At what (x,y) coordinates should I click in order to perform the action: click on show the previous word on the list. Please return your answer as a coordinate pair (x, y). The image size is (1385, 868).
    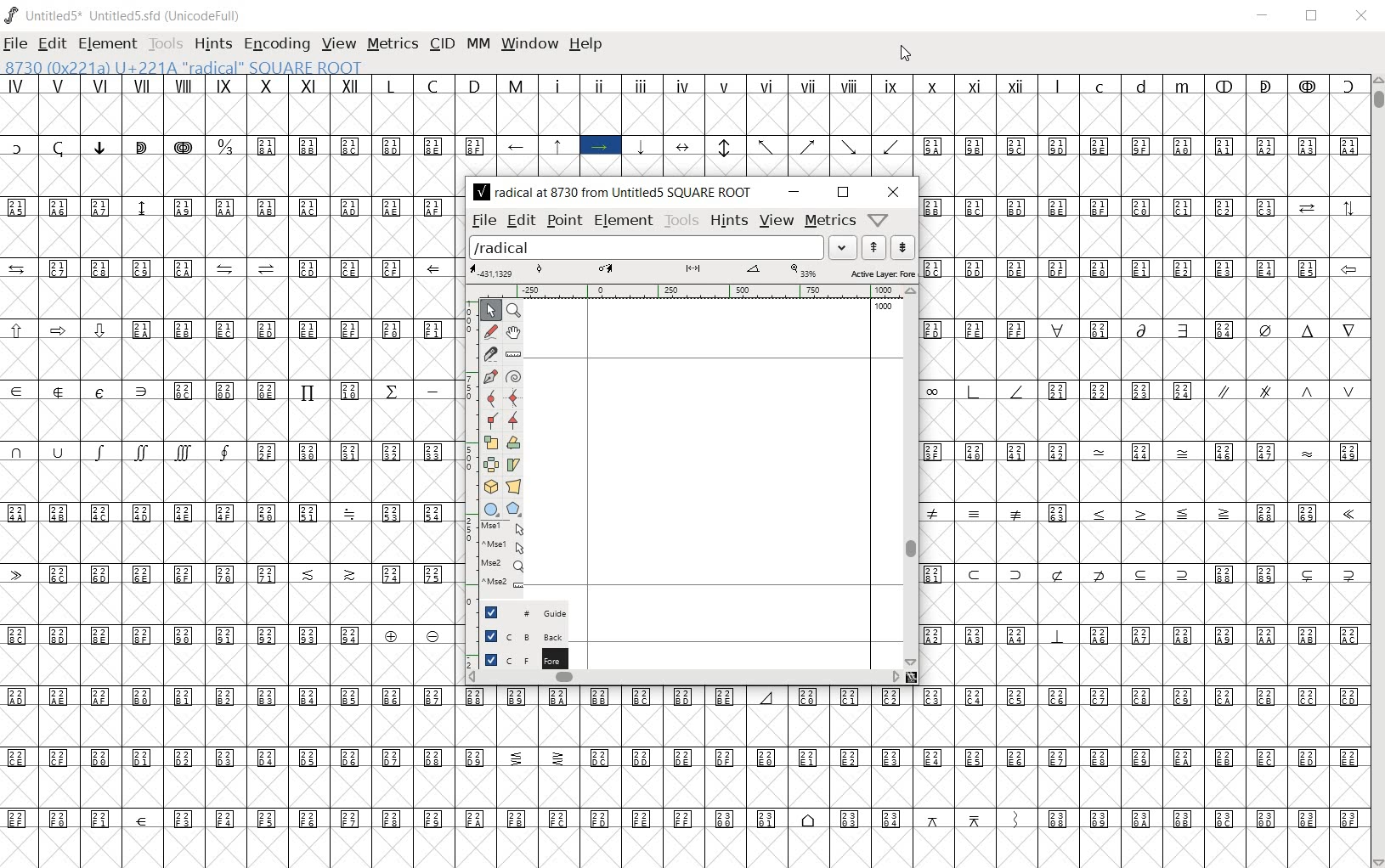
    Looking at the image, I should click on (903, 246).